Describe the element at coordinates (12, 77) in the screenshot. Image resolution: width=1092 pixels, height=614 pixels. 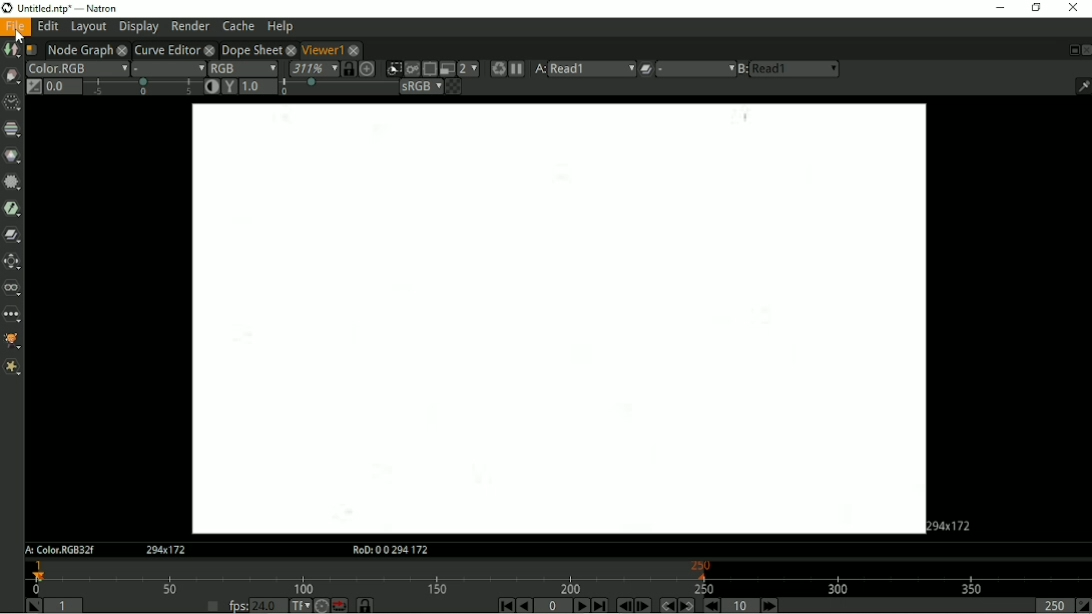
I see `Draw` at that location.